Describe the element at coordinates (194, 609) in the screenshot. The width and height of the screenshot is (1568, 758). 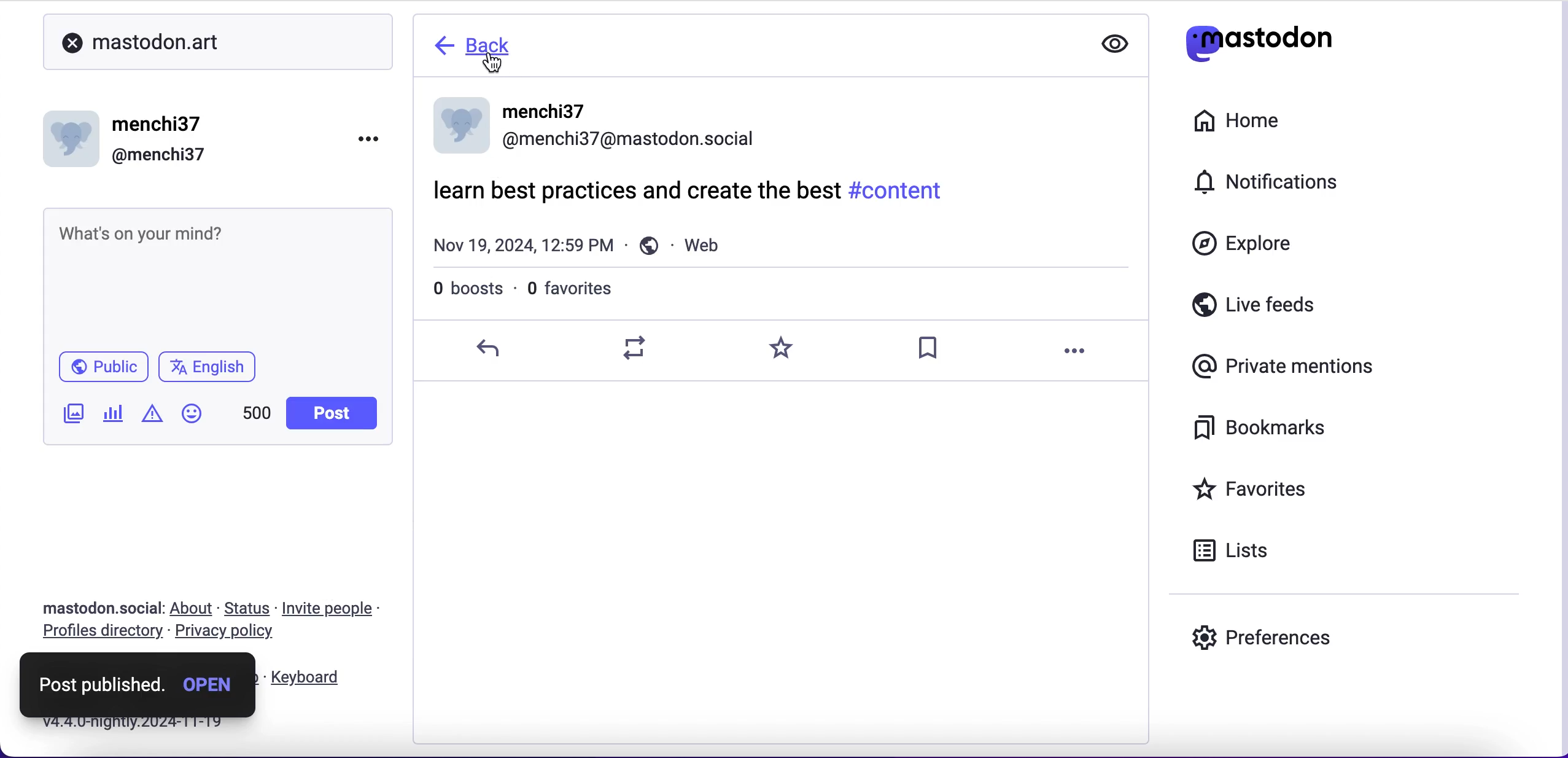
I see `about` at that location.